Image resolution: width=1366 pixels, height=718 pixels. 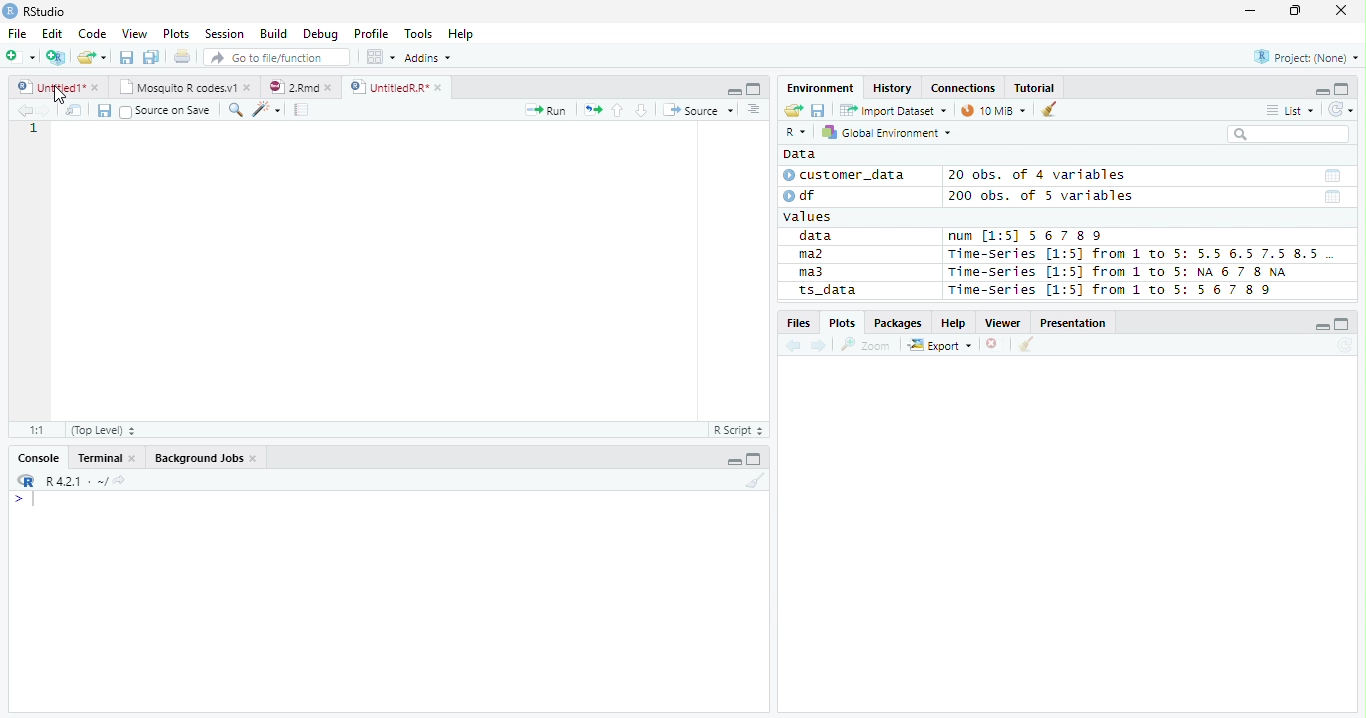 I want to click on 10 MiB, so click(x=995, y=110).